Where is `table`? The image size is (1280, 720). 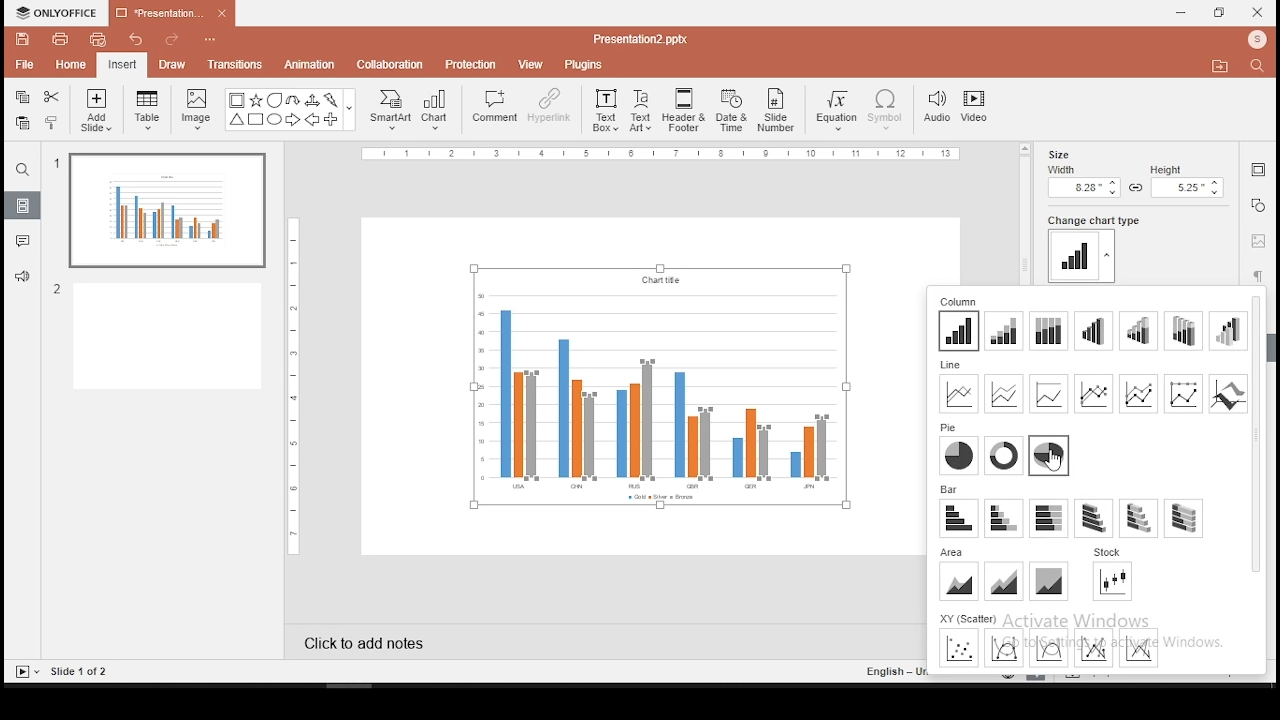 table is located at coordinates (150, 112).